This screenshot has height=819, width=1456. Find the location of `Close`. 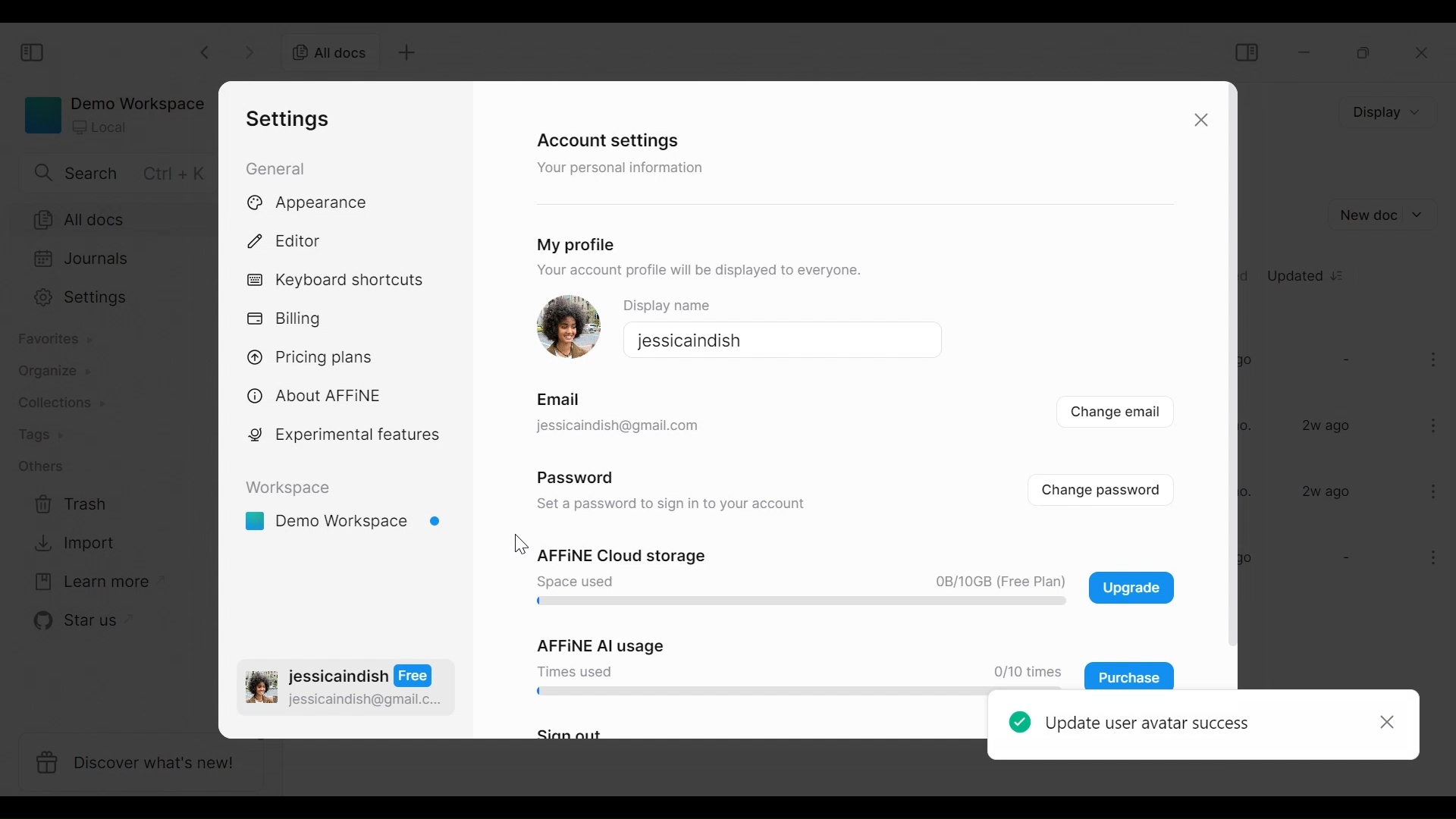

Close is located at coordinates (1203, 121).